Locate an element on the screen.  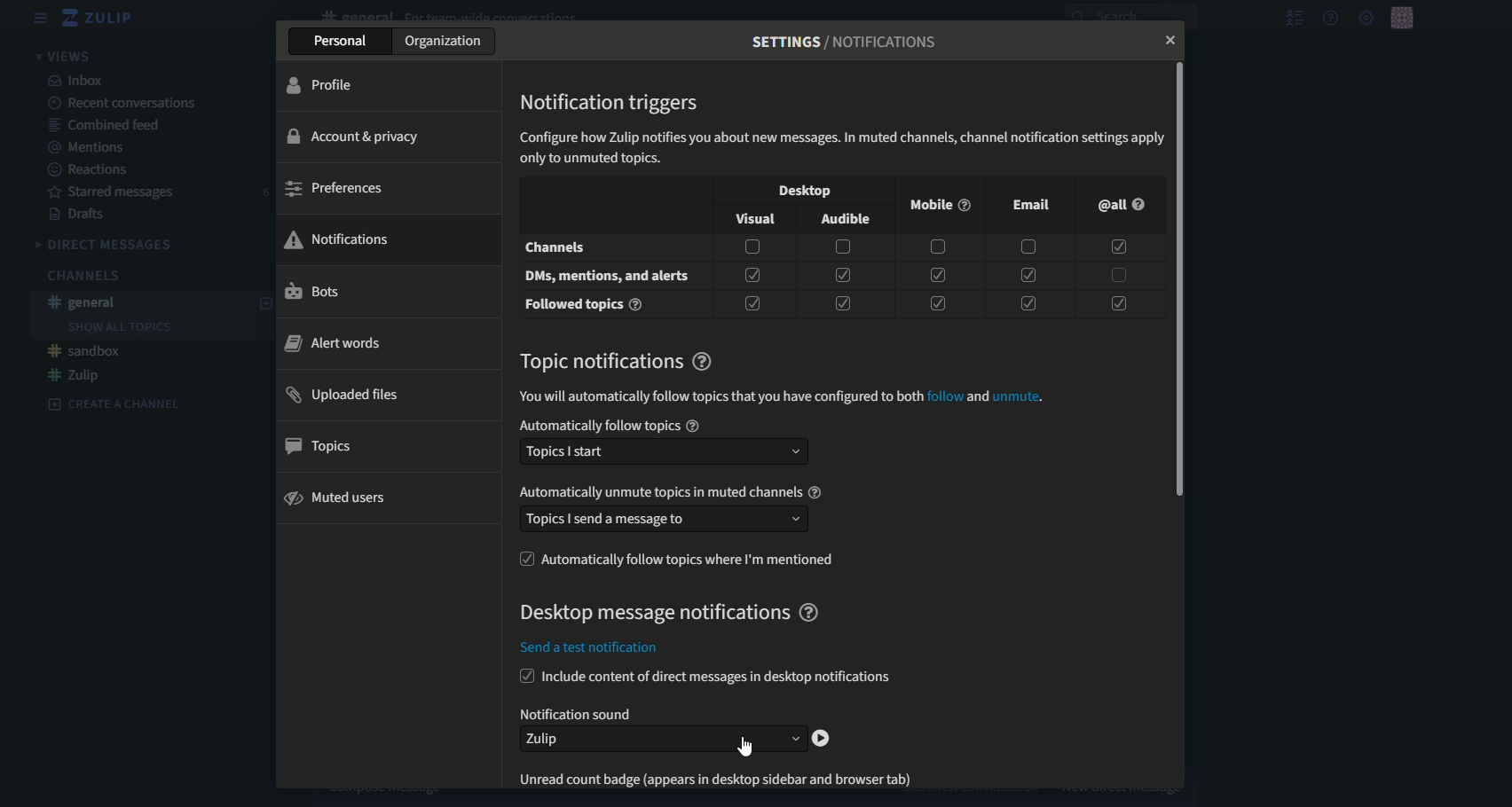
organization is located at coordinates (447, 42).